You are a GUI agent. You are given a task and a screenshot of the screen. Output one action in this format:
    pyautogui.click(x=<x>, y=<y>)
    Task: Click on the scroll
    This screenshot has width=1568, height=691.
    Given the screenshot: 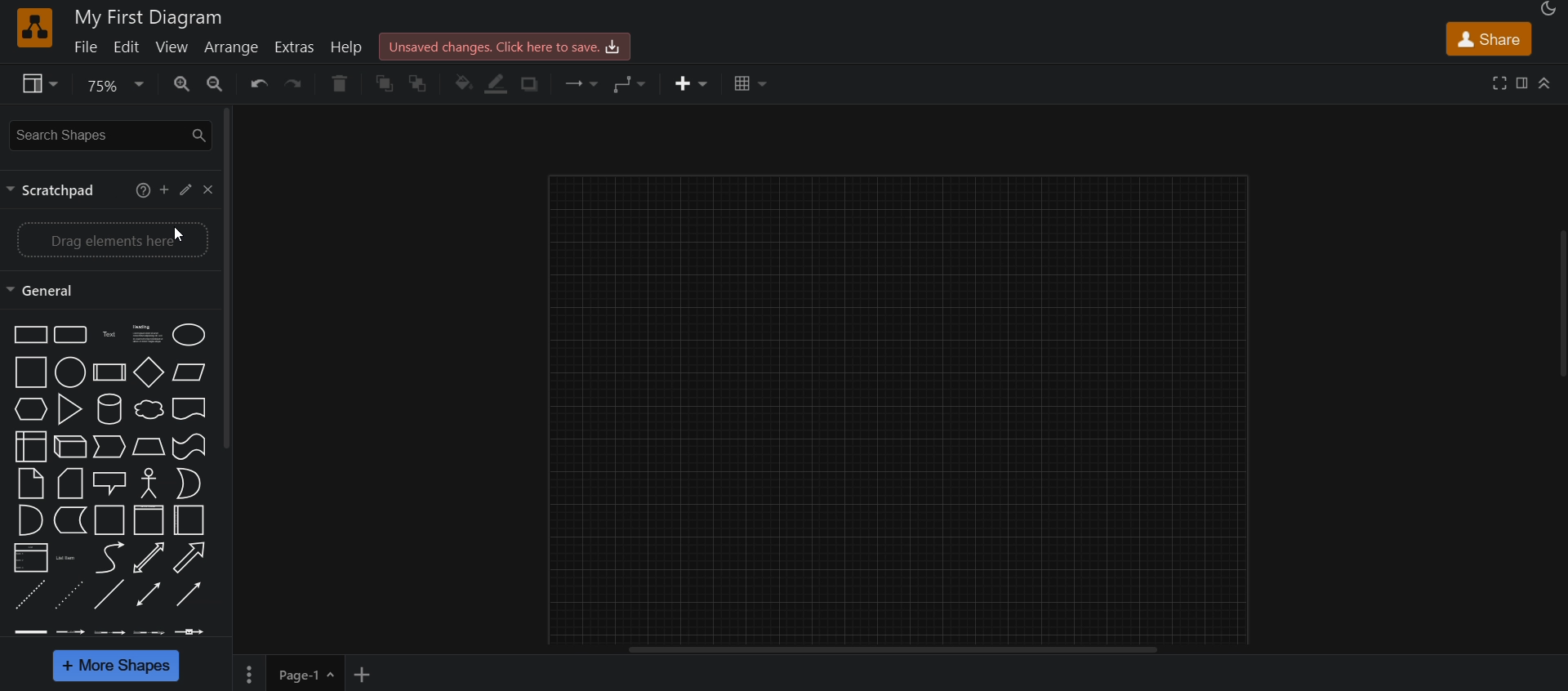 What is the action you would take?
    pyautogui.click(x=1560, y=306)
    